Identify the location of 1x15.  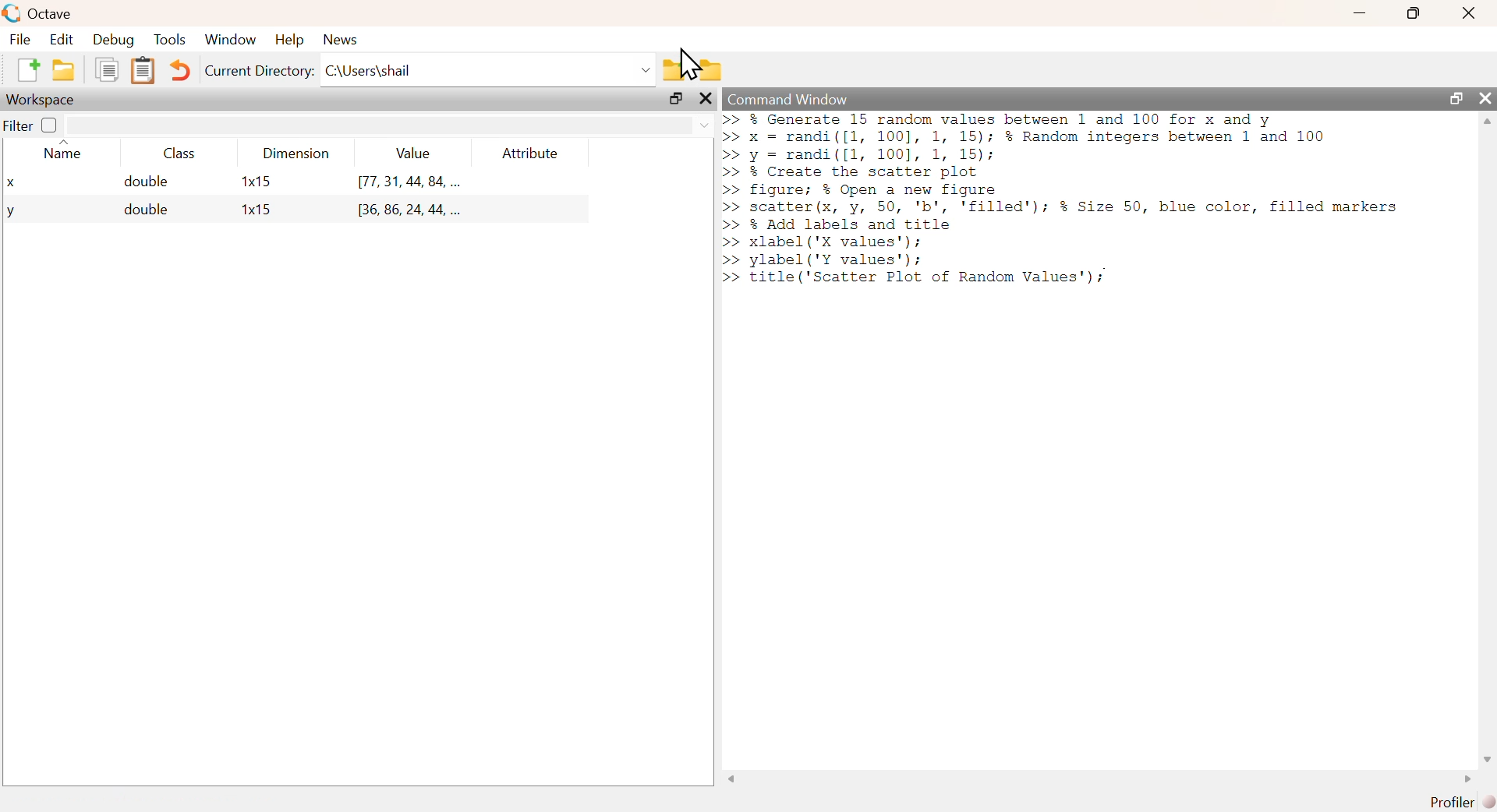
(256, 209).